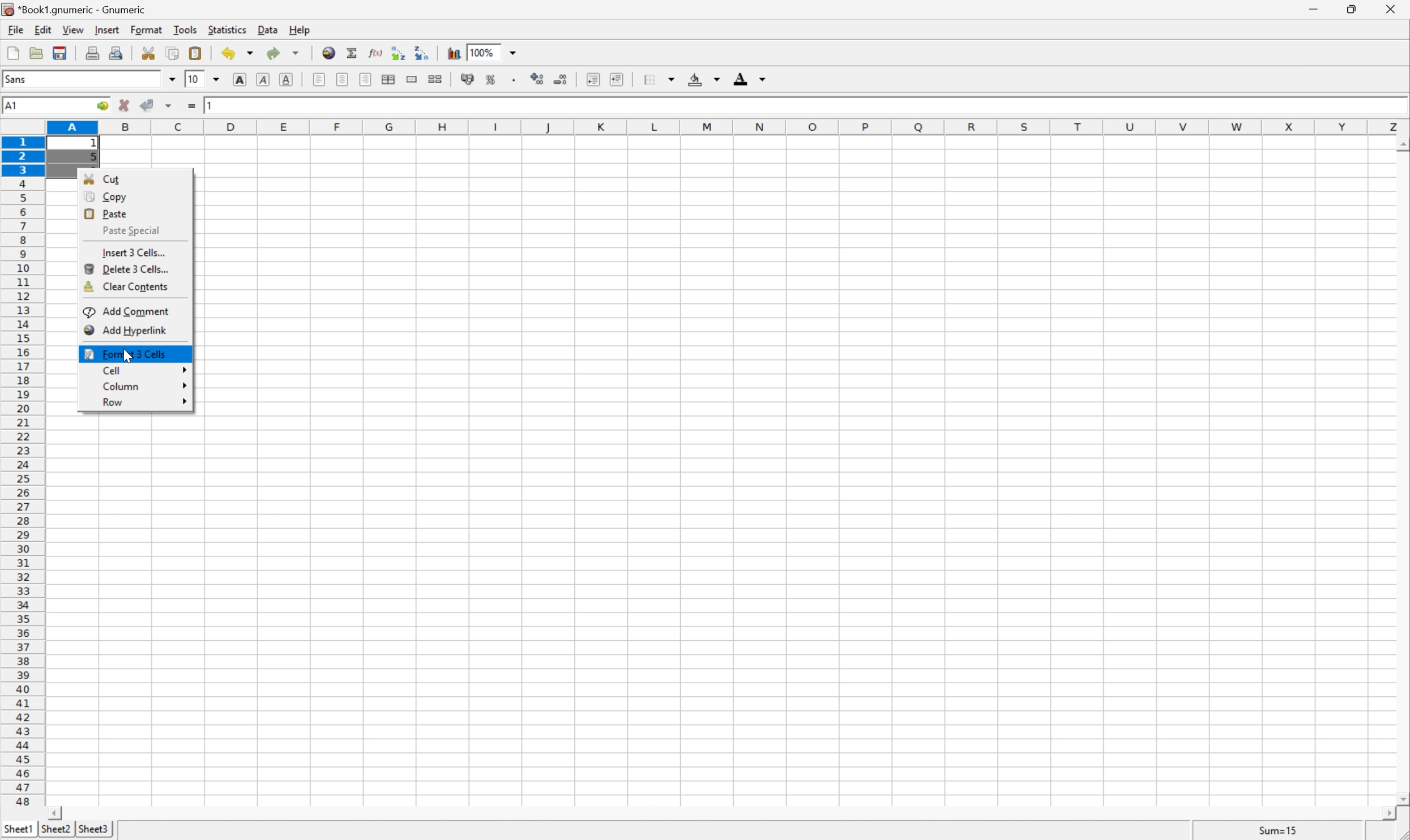 This screenshot has width=1410, height=840. Describe the element at coordinates (343, 79) in the screenshot. I see `align center` at that location.